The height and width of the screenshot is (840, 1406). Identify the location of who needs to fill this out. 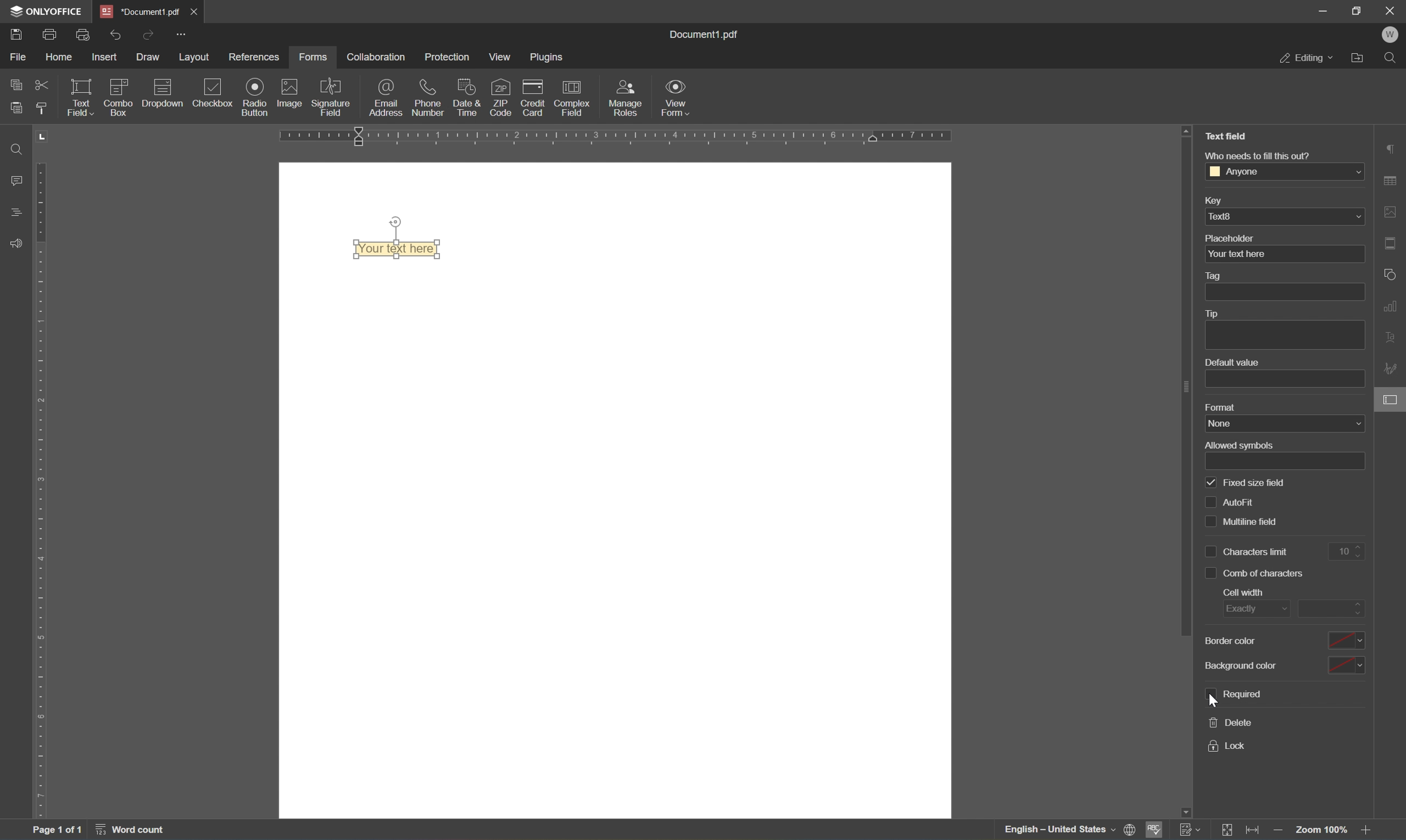
(1260, 156).